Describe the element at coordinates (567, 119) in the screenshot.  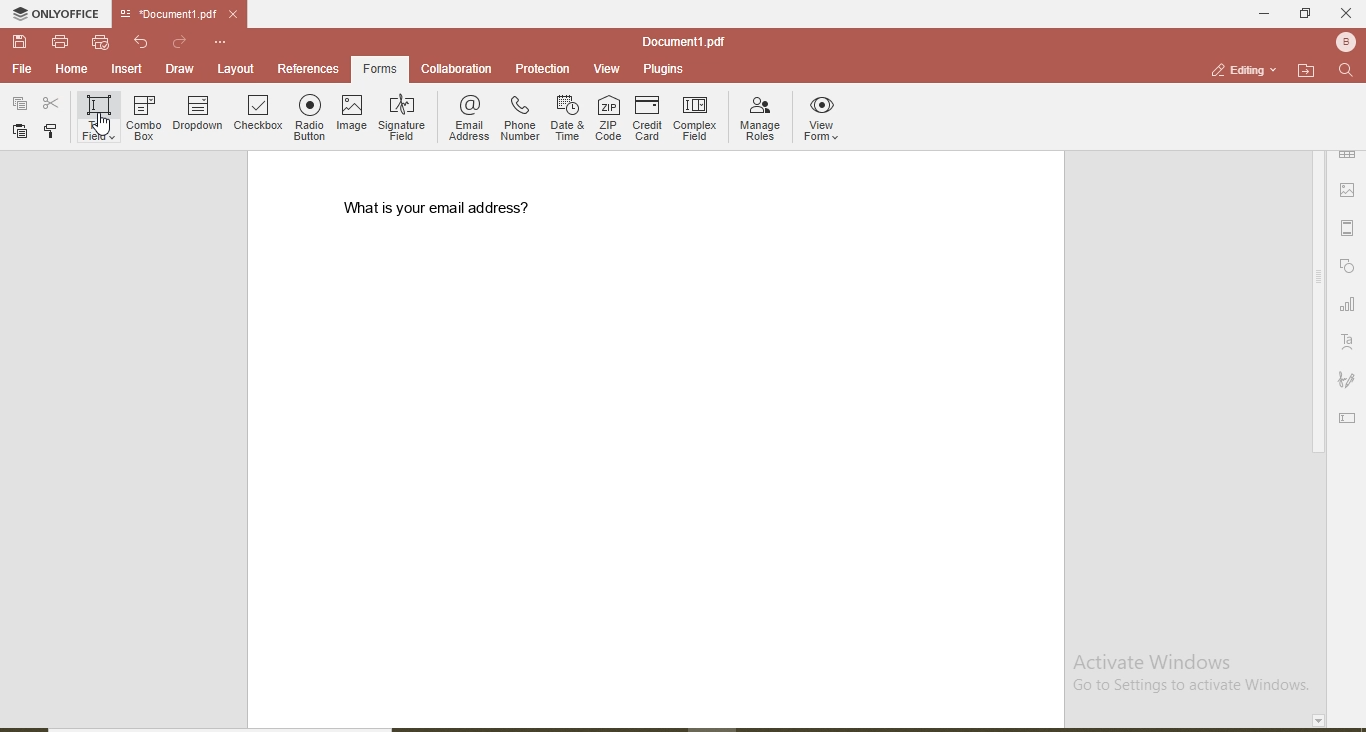
I see `date & time` at that location.